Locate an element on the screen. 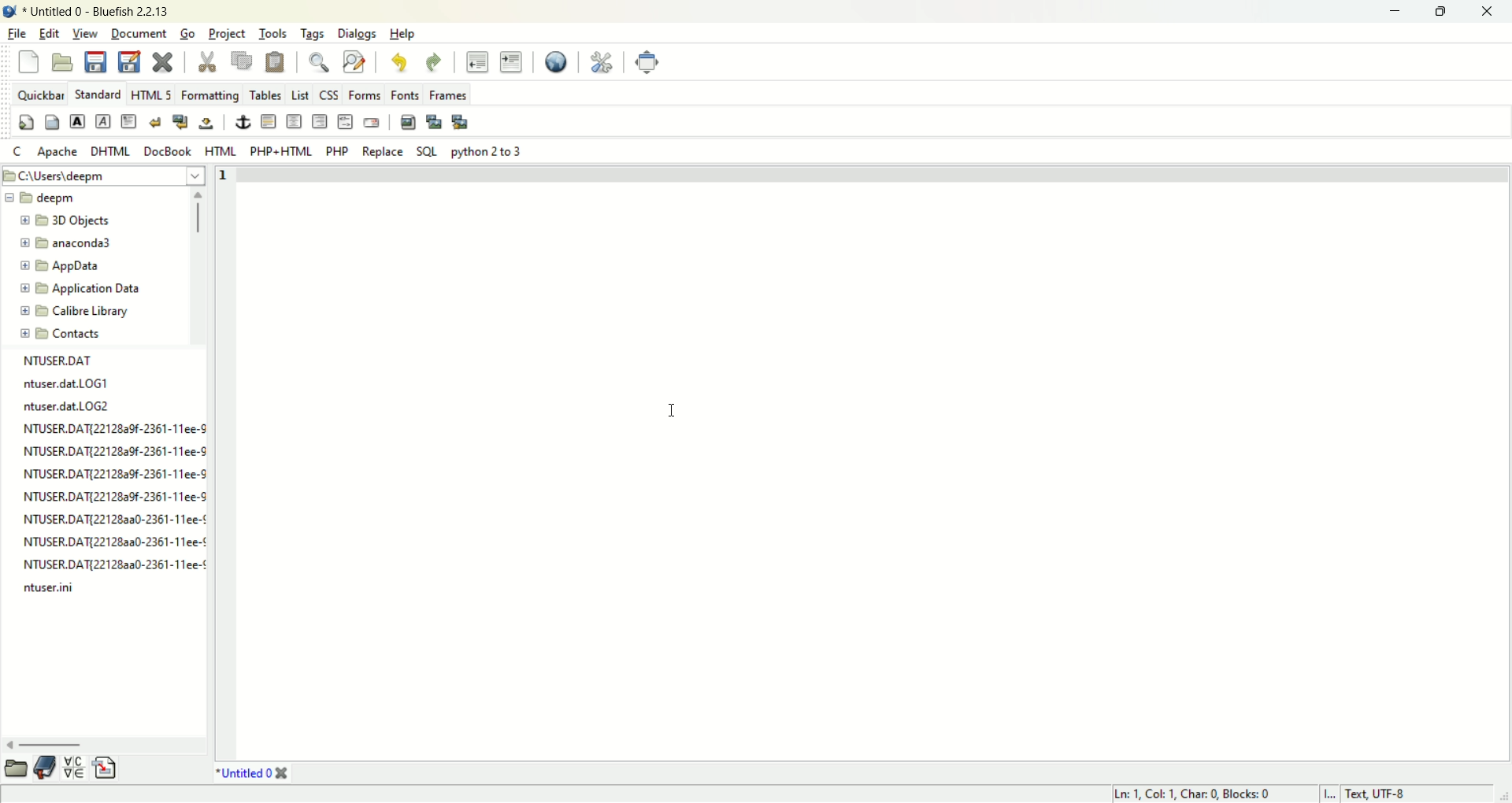 This screenshot has width=1512, height=803. apache is located at coordinates (57, 153).